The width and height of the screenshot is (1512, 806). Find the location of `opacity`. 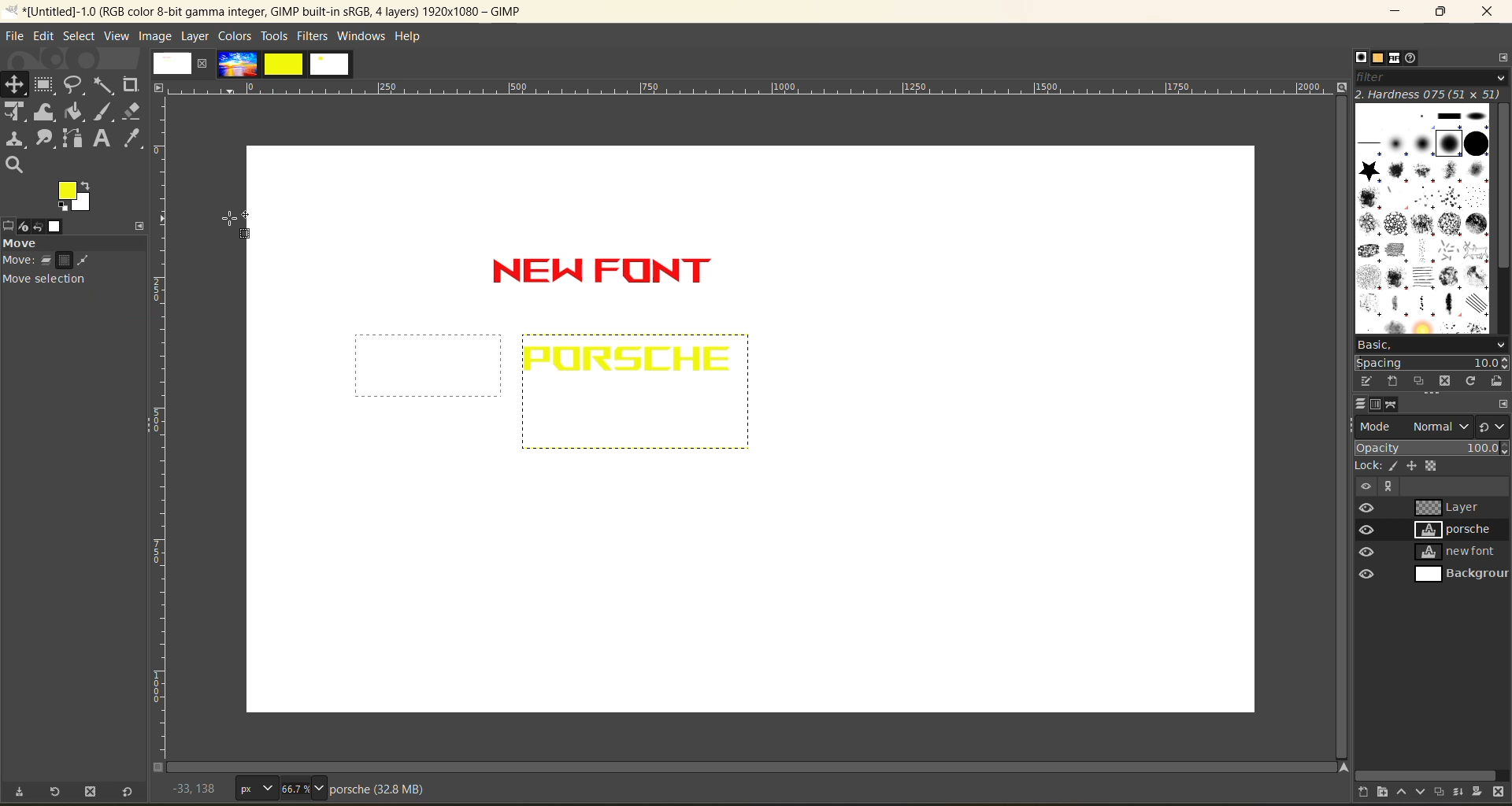

opacity is located at coordinates (1430, 447).